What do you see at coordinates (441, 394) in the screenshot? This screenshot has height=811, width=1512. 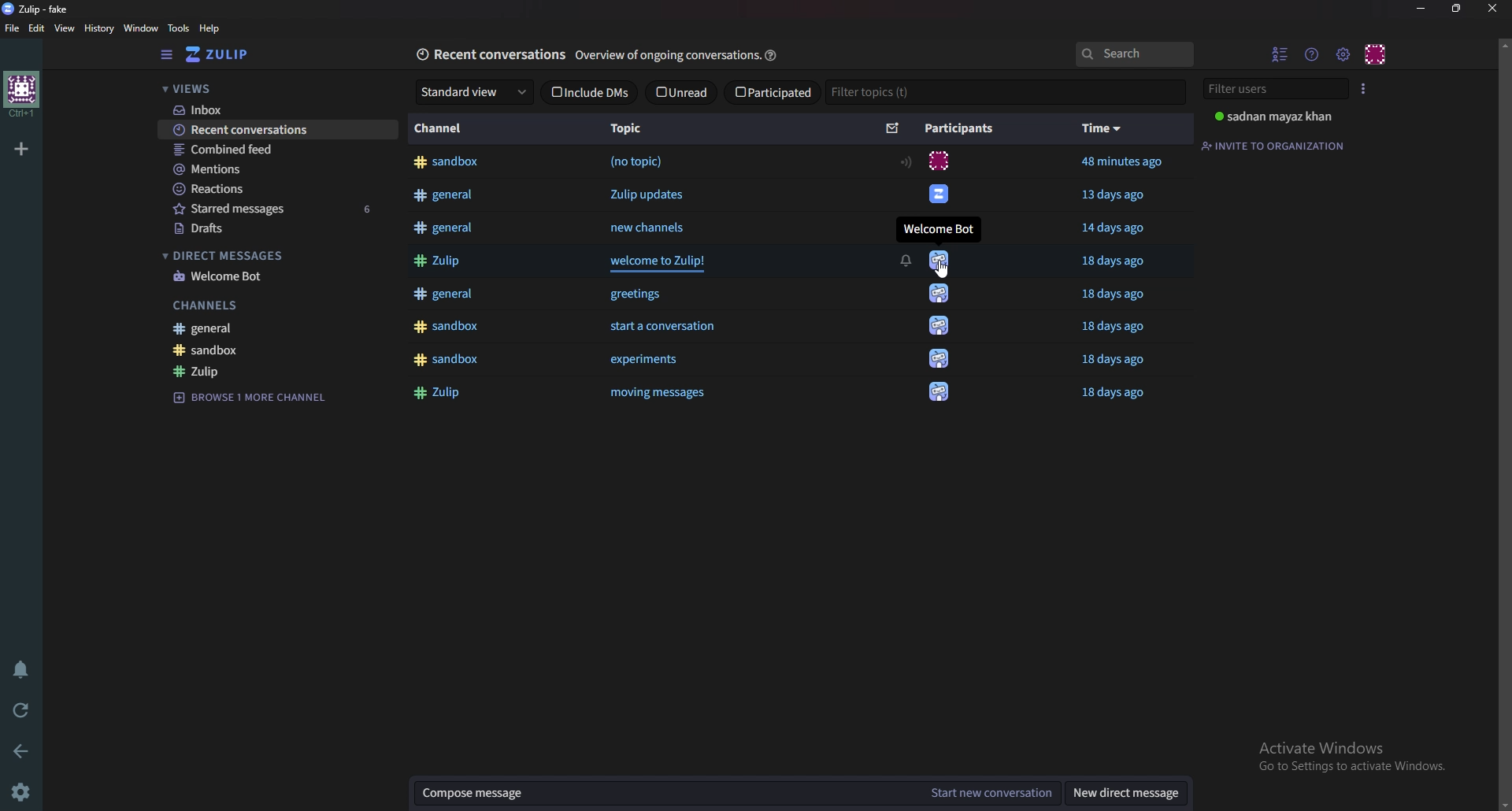 I see `# Zulip` at bounding box center [441, 394].